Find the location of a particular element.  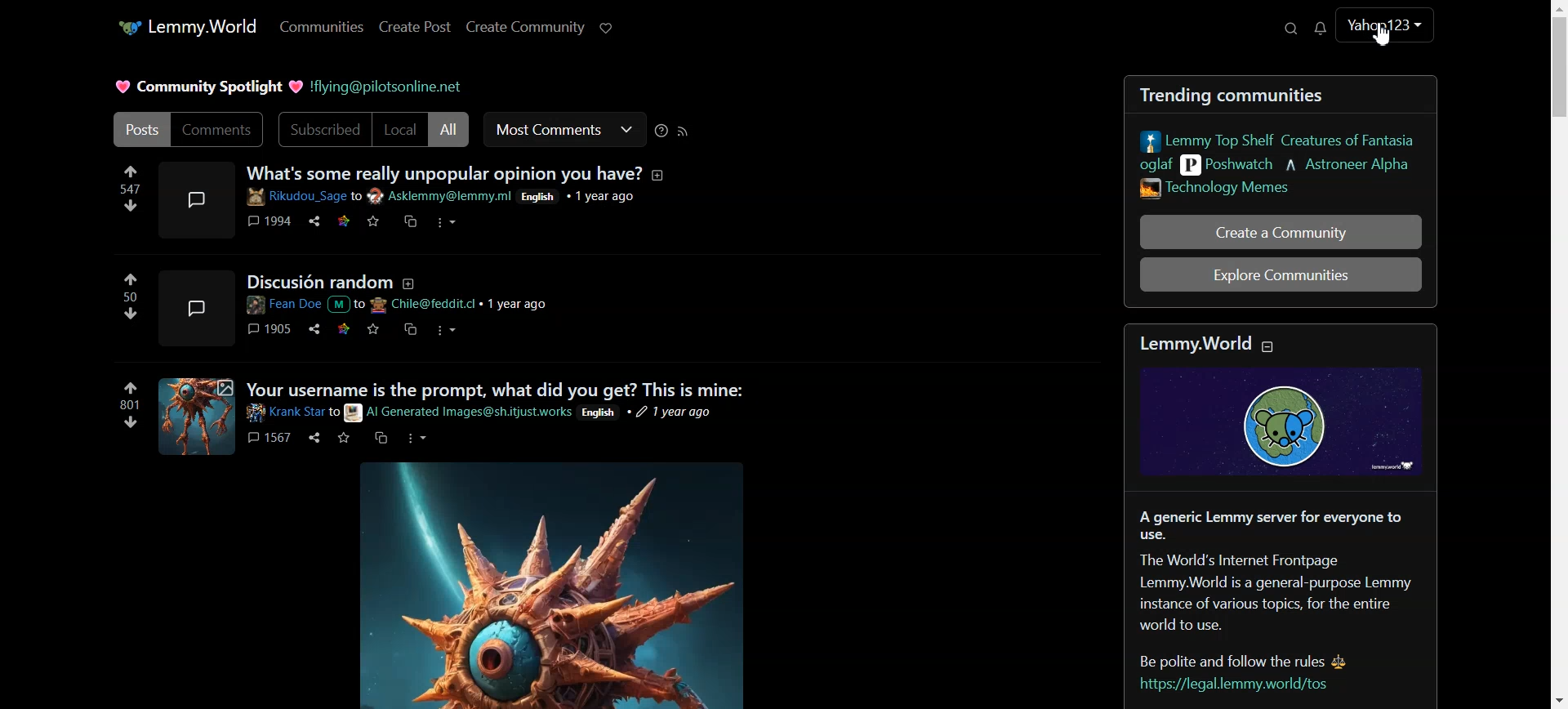

Cursor is located at coordinates (1383, 34).